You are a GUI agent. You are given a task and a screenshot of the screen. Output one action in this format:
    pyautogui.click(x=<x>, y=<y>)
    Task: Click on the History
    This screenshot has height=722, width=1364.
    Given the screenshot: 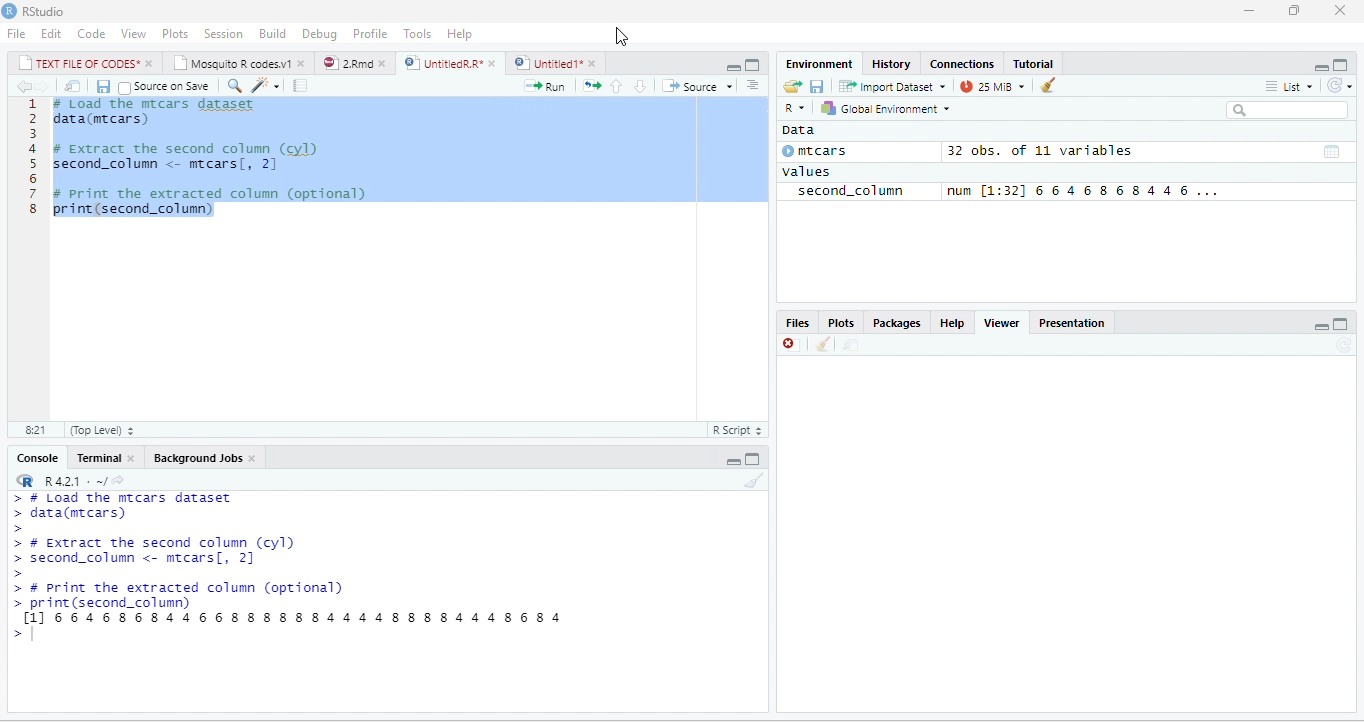 What is the action you would take?
    pyautogui.click(x=891, y=63)
    